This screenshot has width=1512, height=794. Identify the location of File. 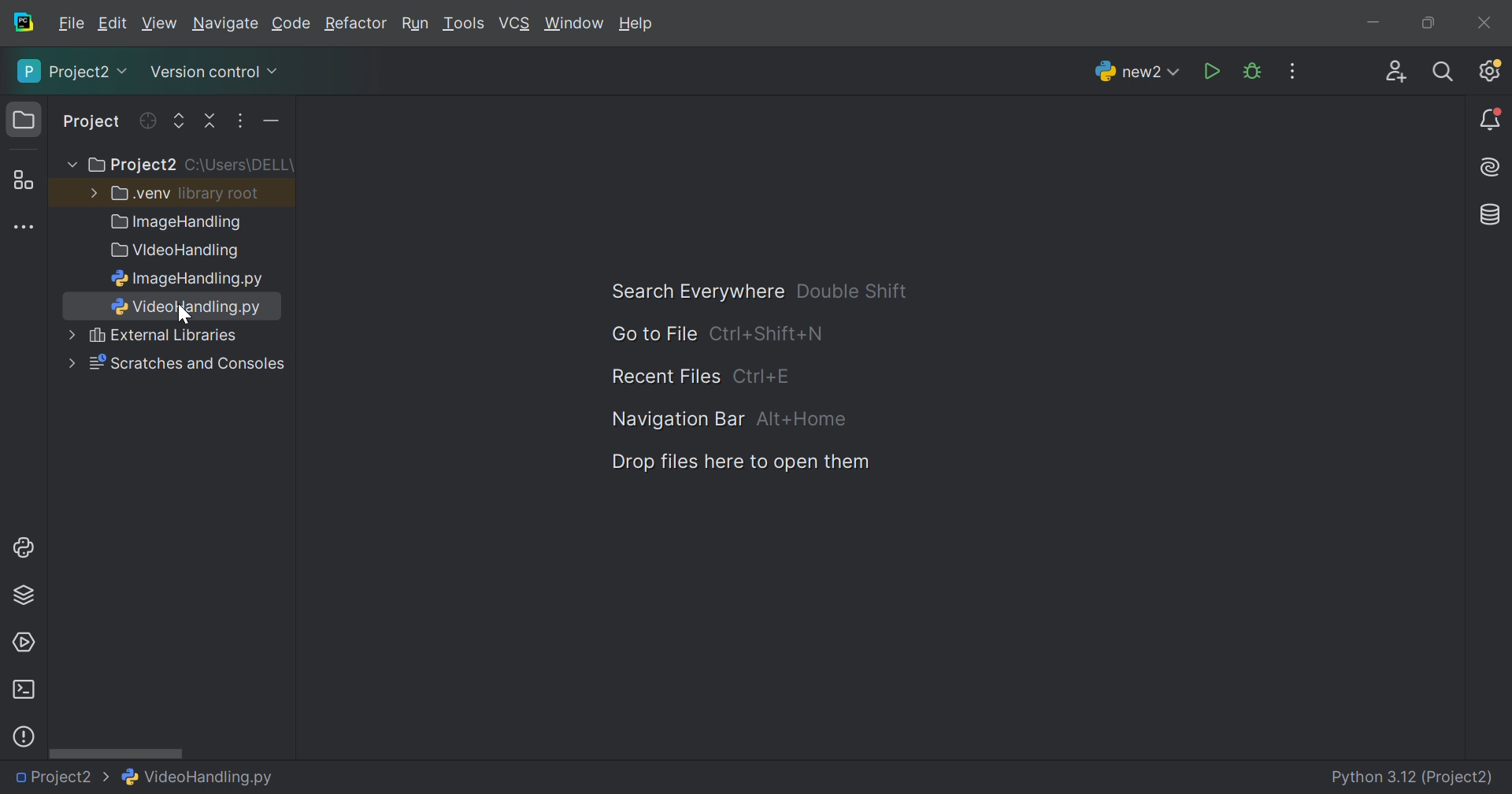
(72, 24).